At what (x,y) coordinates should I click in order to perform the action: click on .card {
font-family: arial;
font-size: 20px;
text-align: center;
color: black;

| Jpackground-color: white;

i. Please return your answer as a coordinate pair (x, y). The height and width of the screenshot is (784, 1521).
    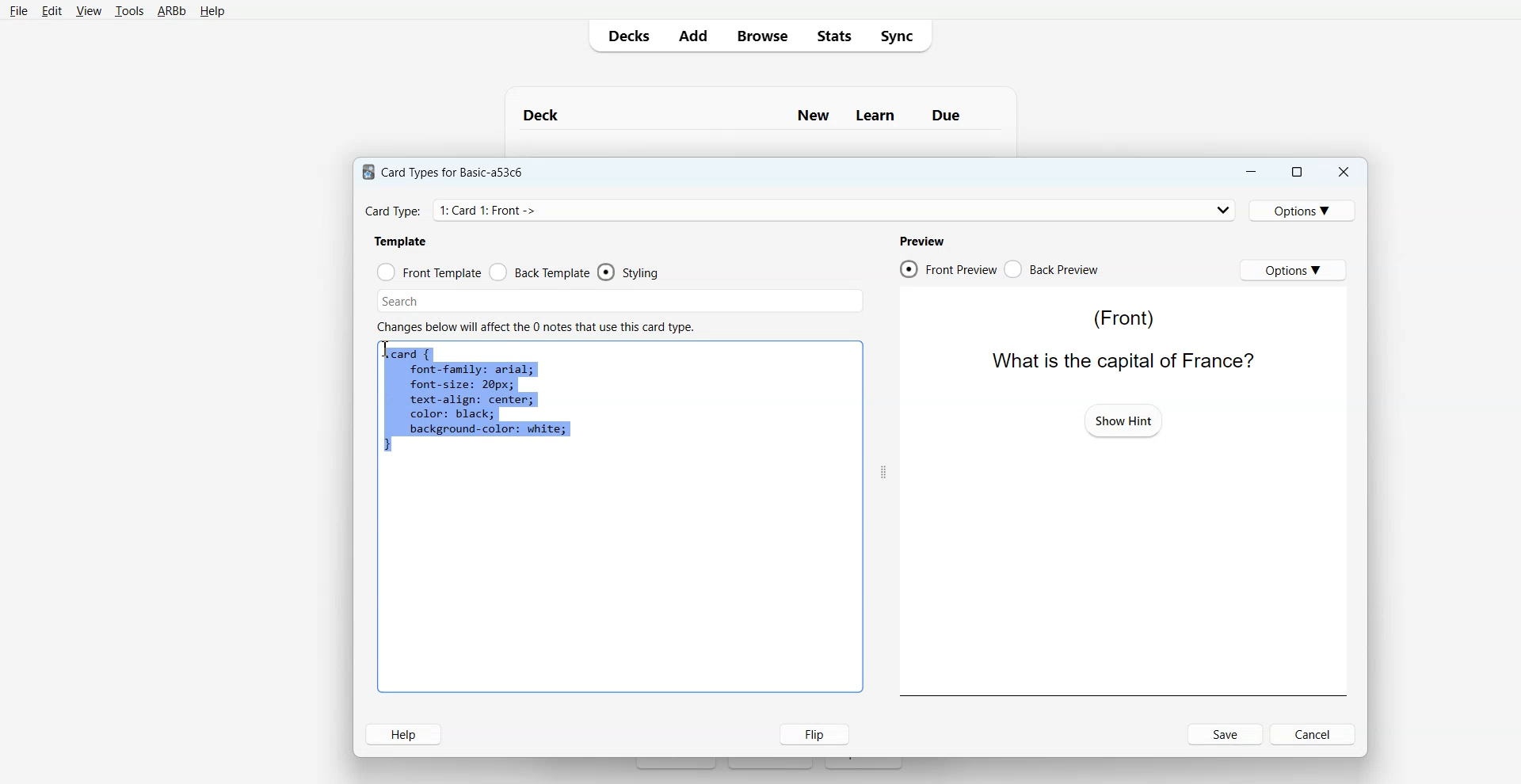
    Looking at the image, I should click on (477, 402).